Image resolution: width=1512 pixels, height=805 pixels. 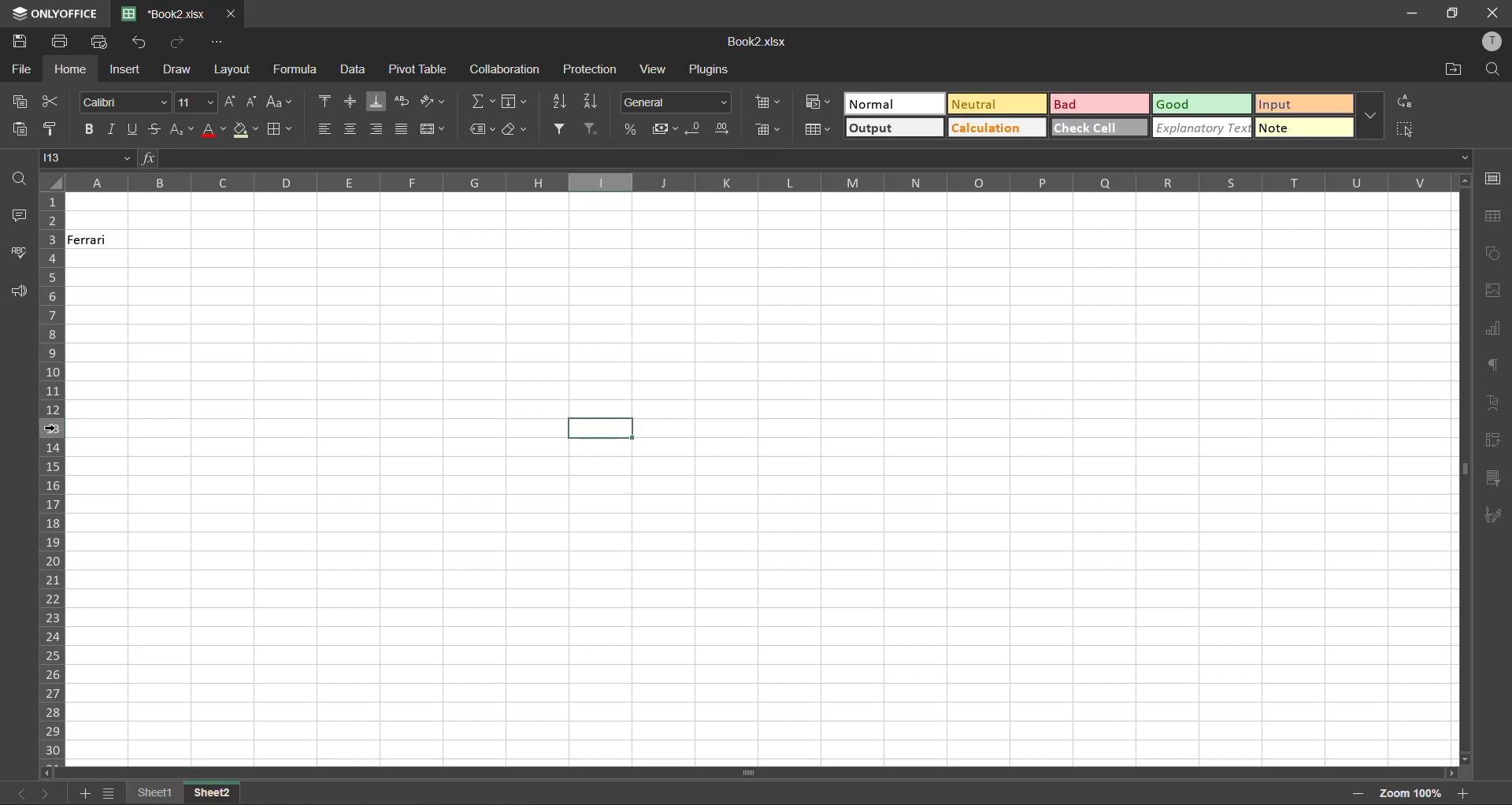 I want to click on replace, so click(x=1403, y=100).